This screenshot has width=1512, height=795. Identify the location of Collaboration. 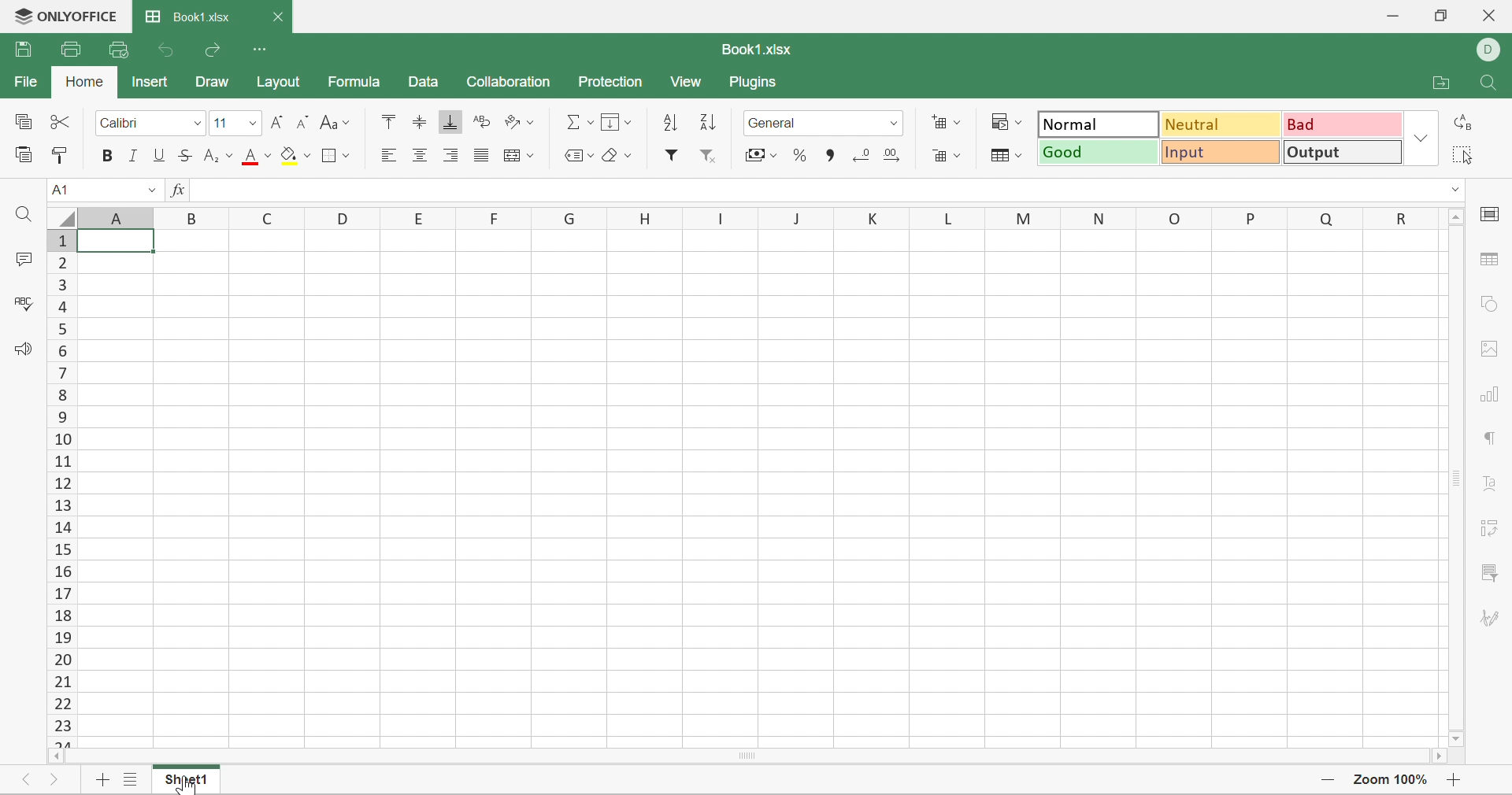
(508, 83).